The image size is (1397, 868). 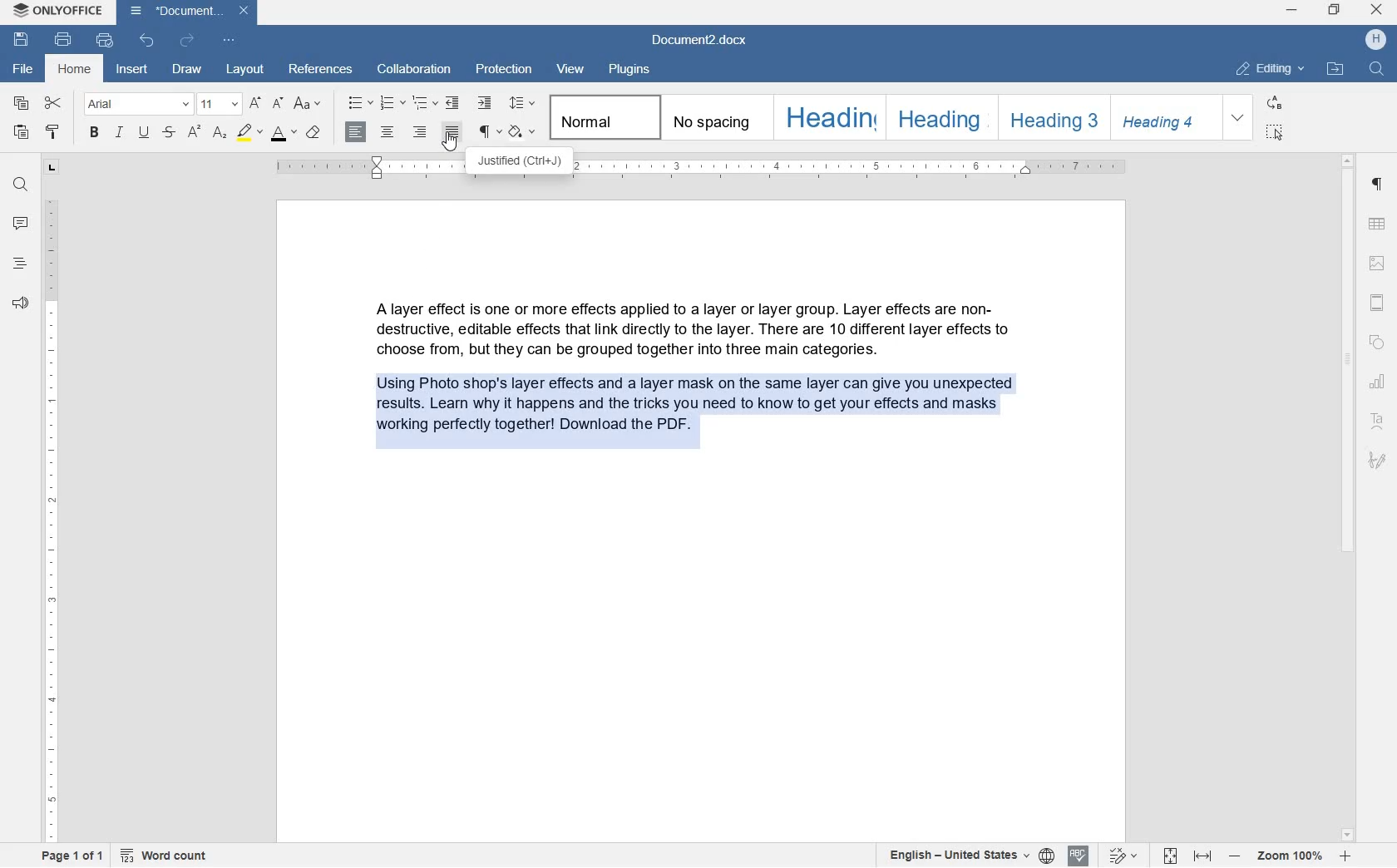 What do you see at coordinates (388, 132) in the screenshot?
I see `CENTER ALIGNMENT` at bounding box center [388, 132].